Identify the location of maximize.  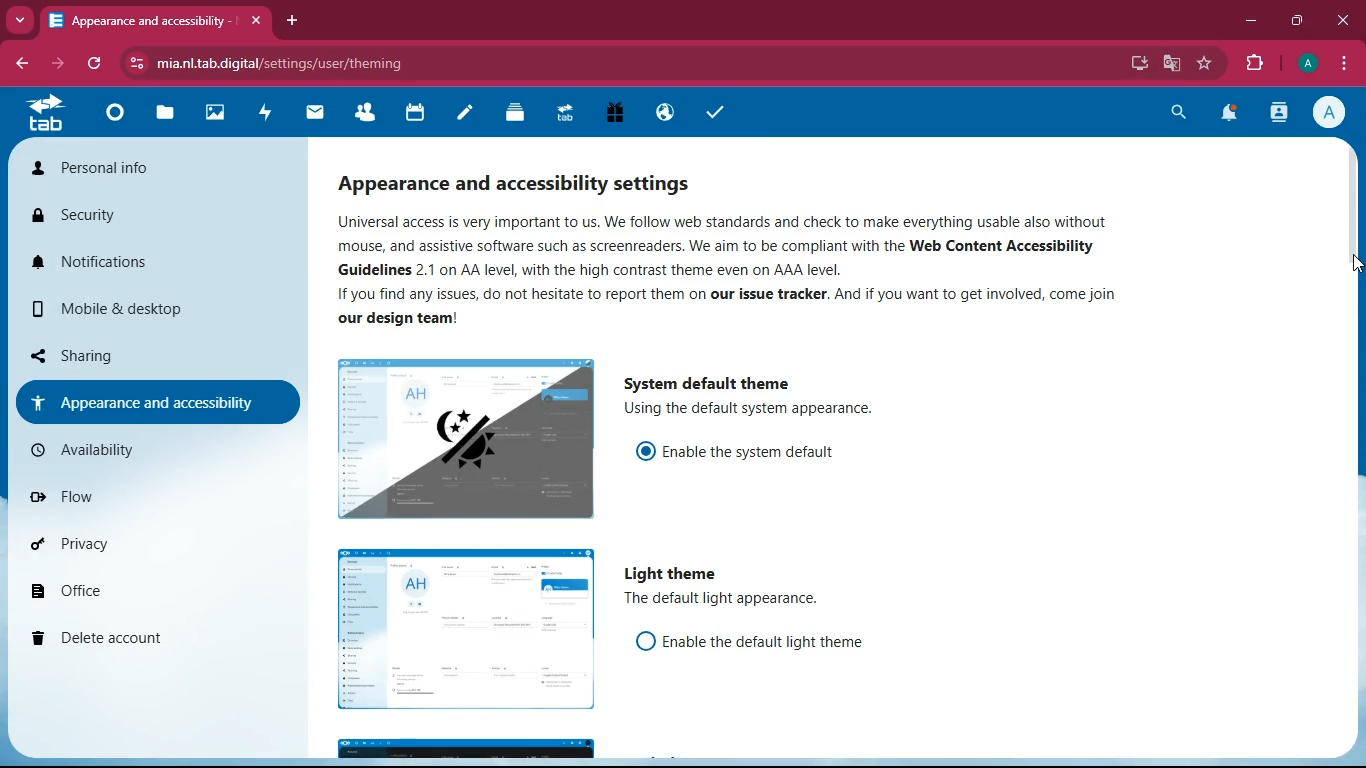
(1299, 21).